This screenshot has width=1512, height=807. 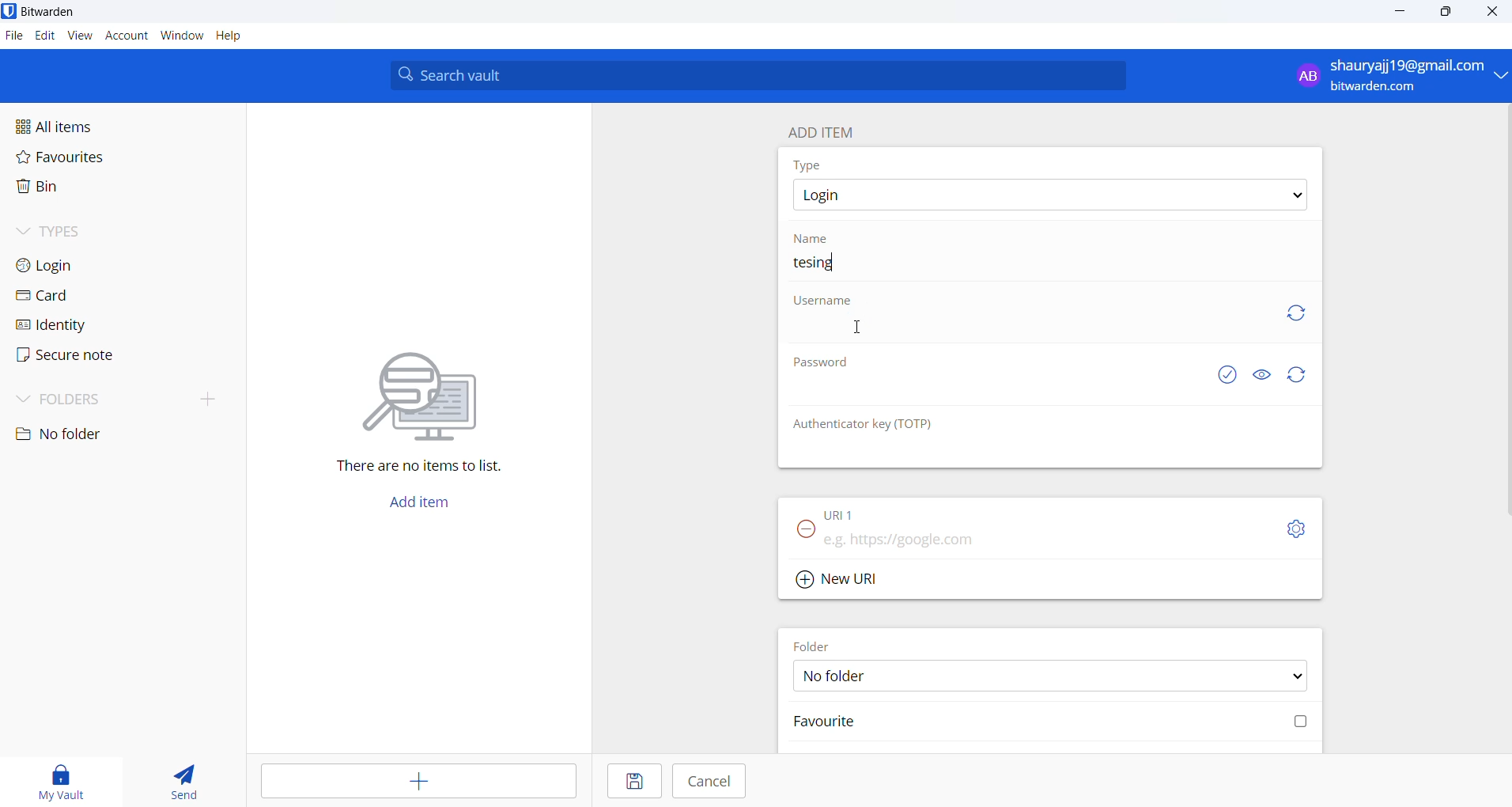 I want to click on account, so click(x=127, y=37).